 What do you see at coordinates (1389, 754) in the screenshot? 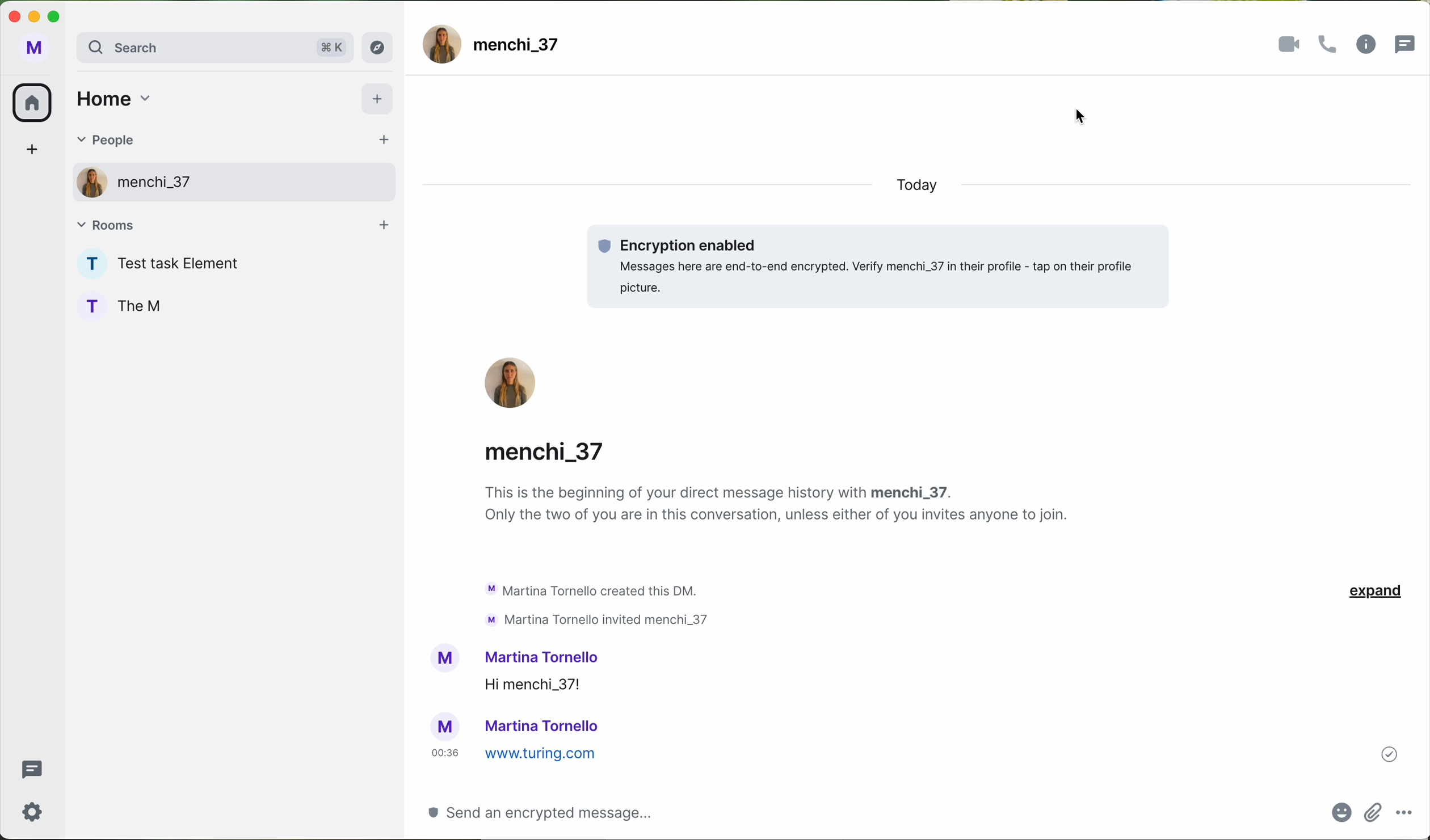
I see `sent` at bounding box center [1389, 754].